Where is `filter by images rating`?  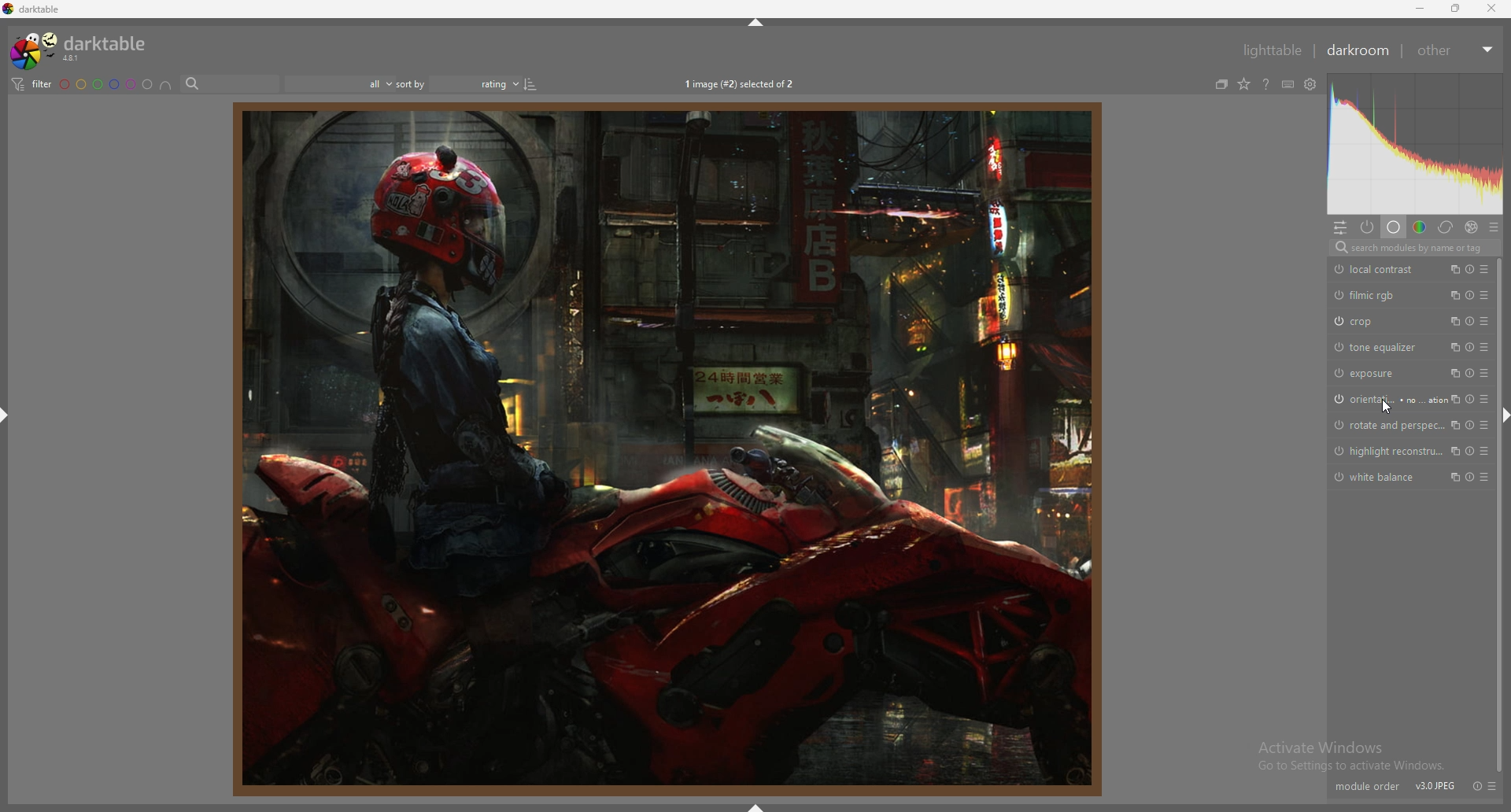 filter by images rating is located at coordinates (341, 84).